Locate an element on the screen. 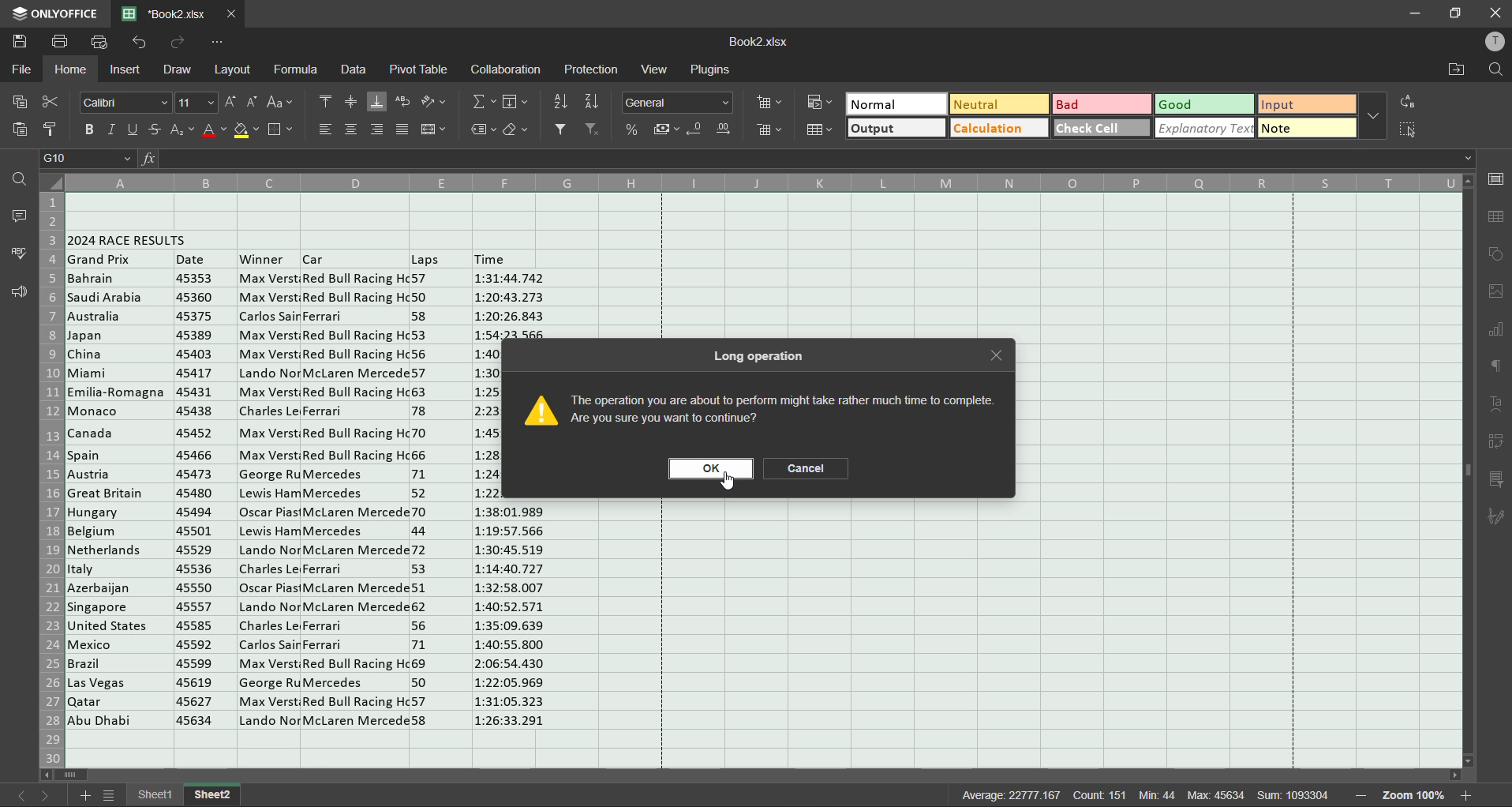 The width and height of the screenshot is (1512, 807). calculation is located at coordinates (997, 129).